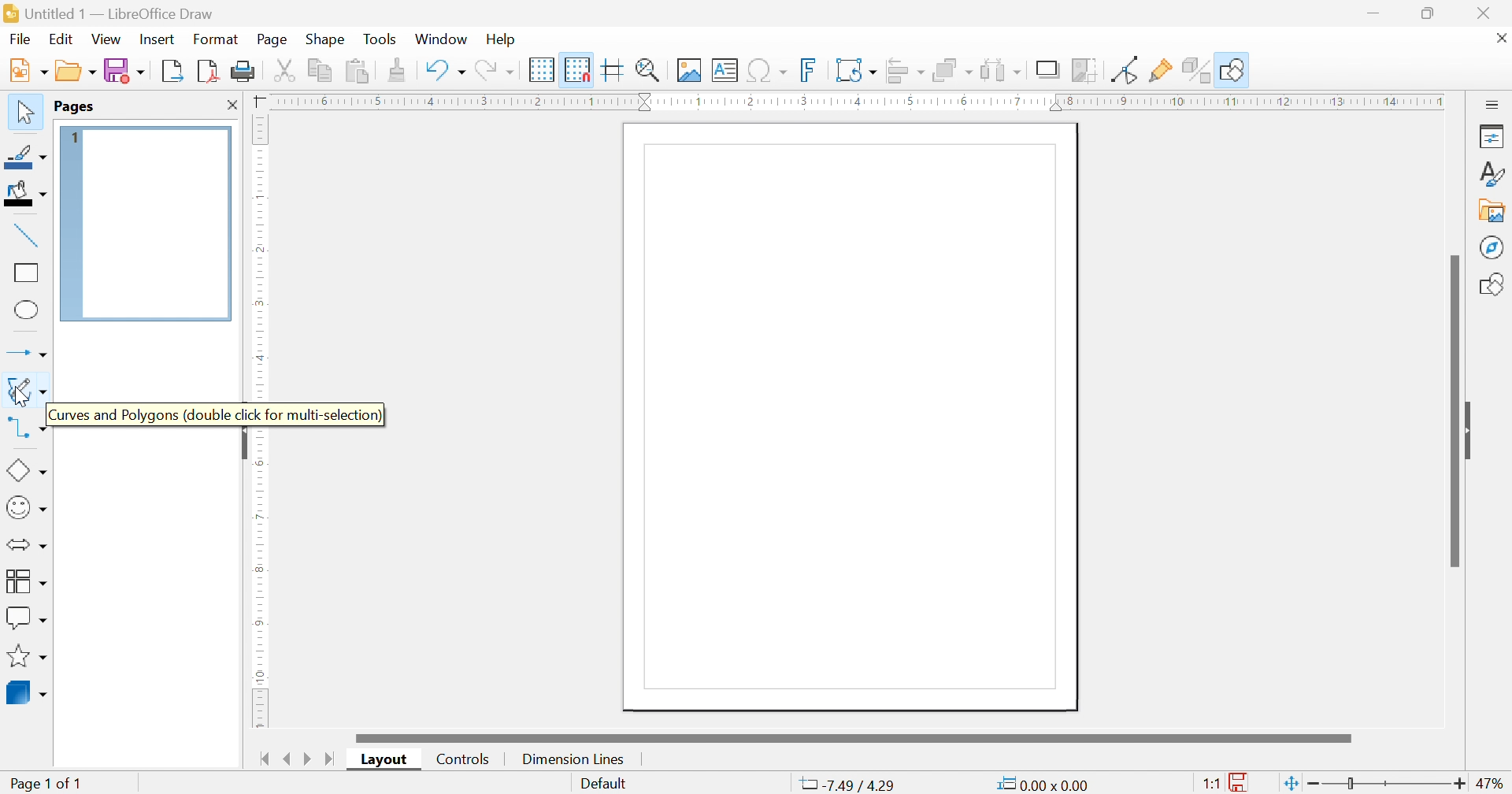 This screenshot has height=794, width=1512. I want to click on page 1, so click(145, 224).